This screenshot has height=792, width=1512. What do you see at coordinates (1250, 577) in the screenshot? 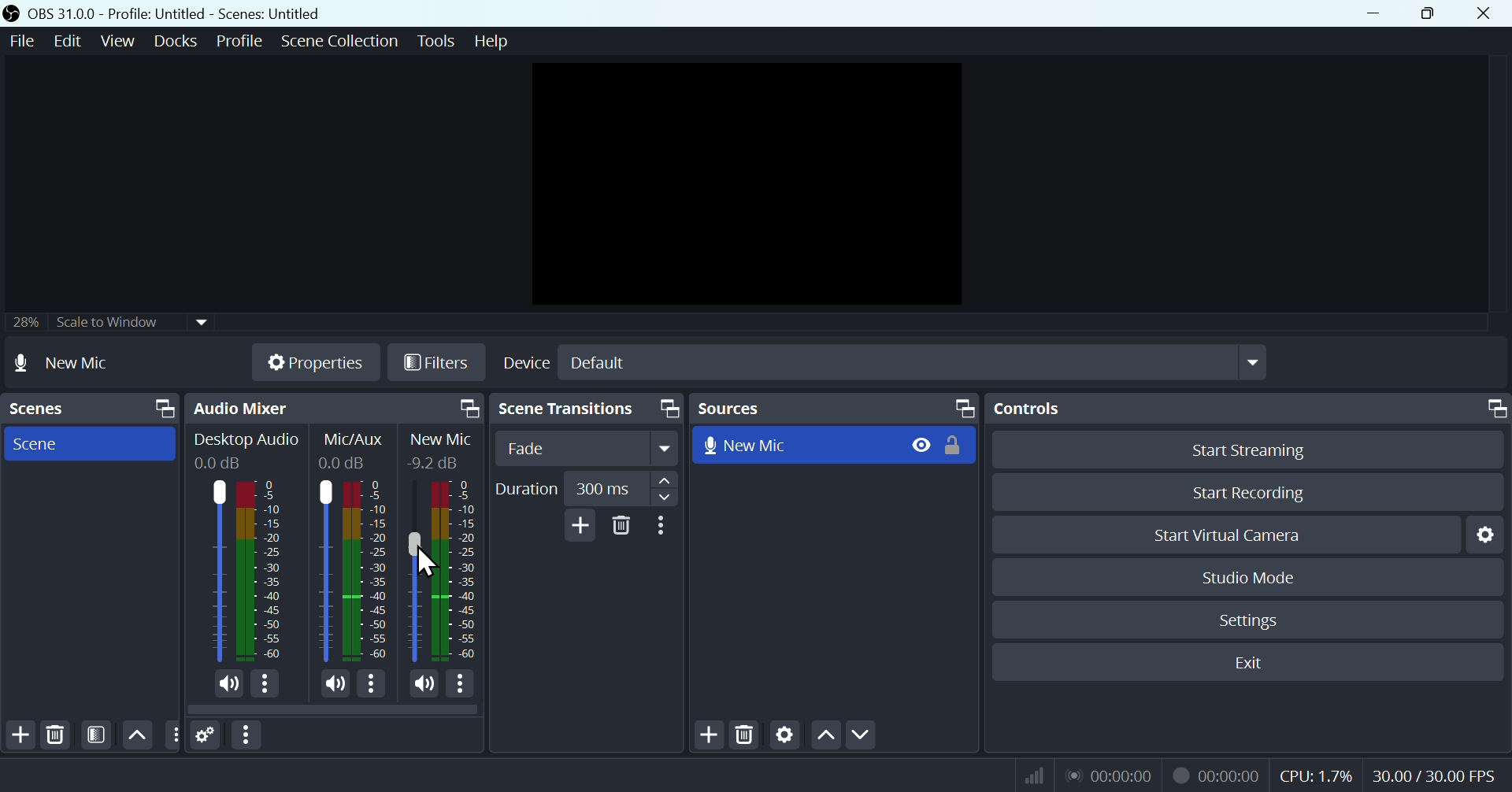
I see `Studio mode` at bounding box center [1250, 577].